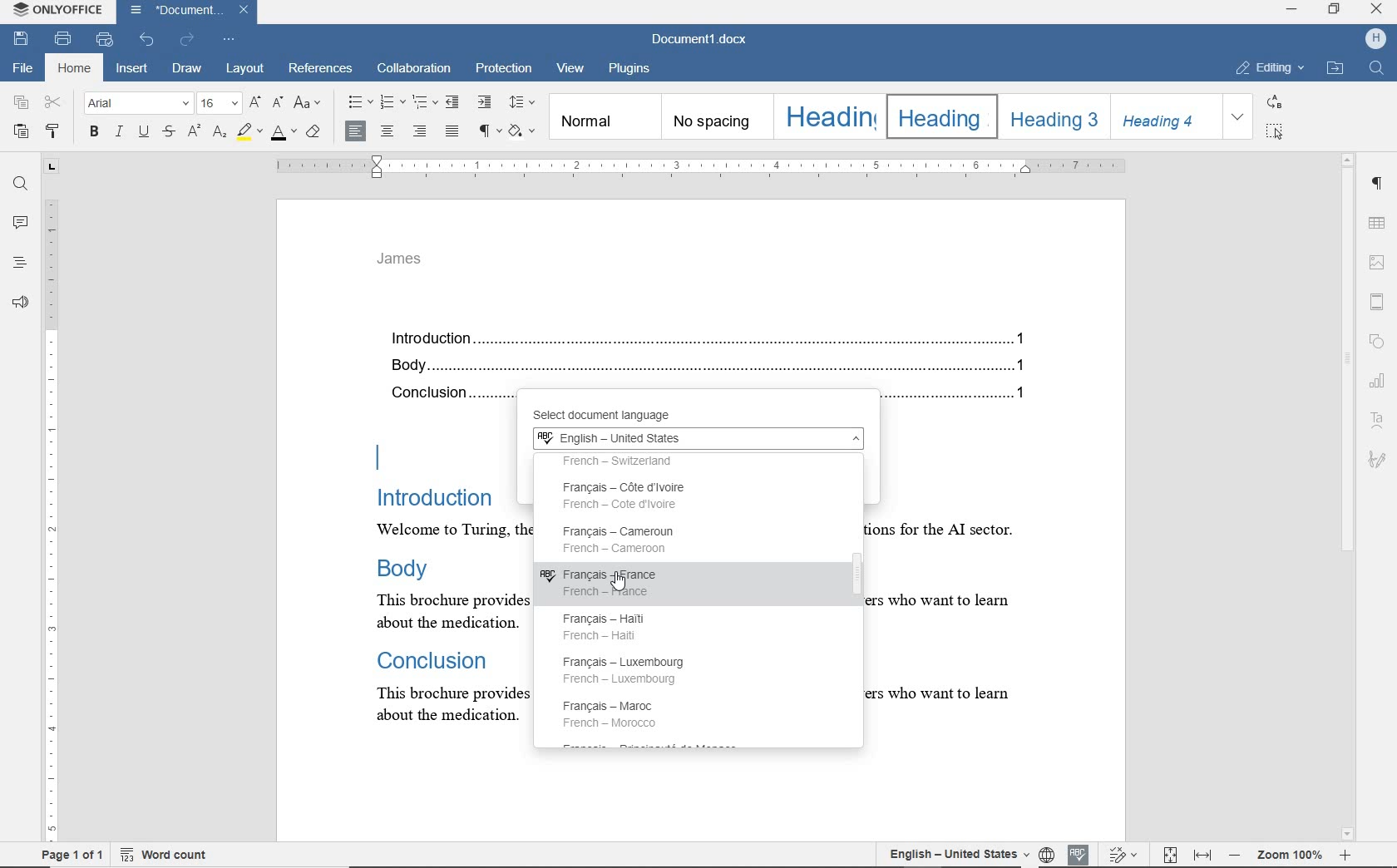  Describe the element at coordinates (387, 132) in the screenshot. I see `align center` at that location.